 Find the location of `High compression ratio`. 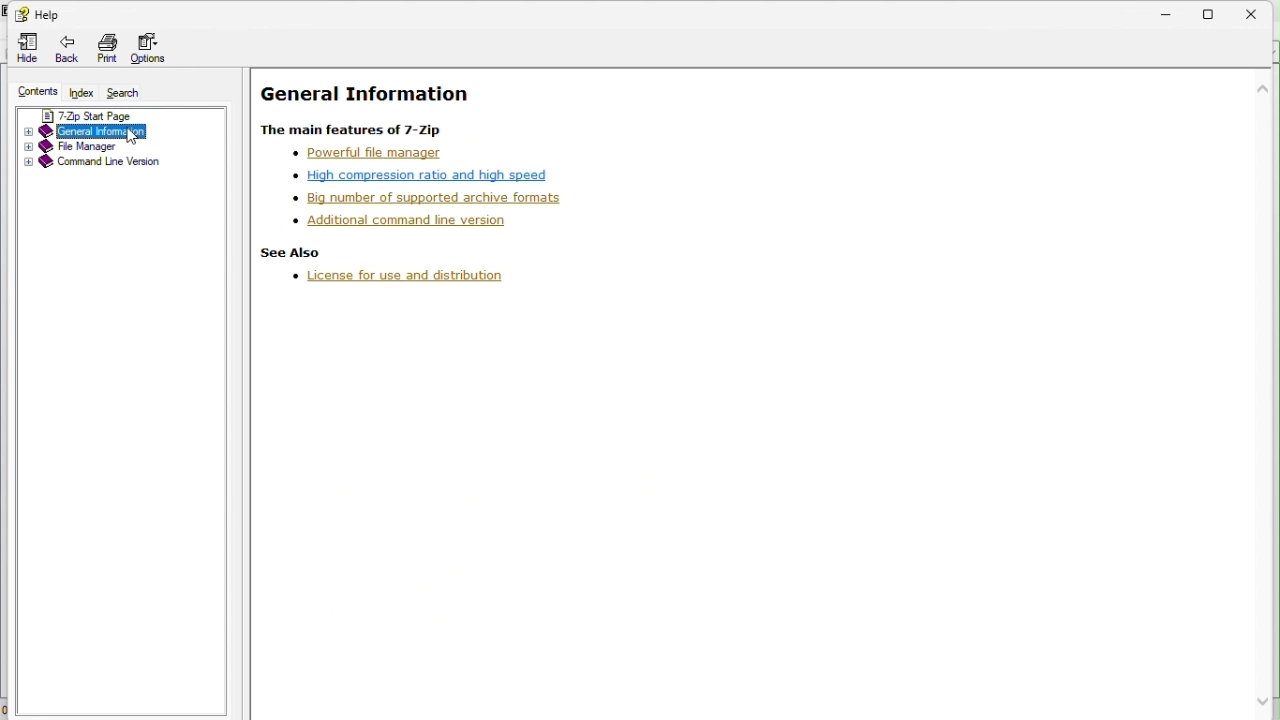

High compression ratio is located at coordinates (425, 174).